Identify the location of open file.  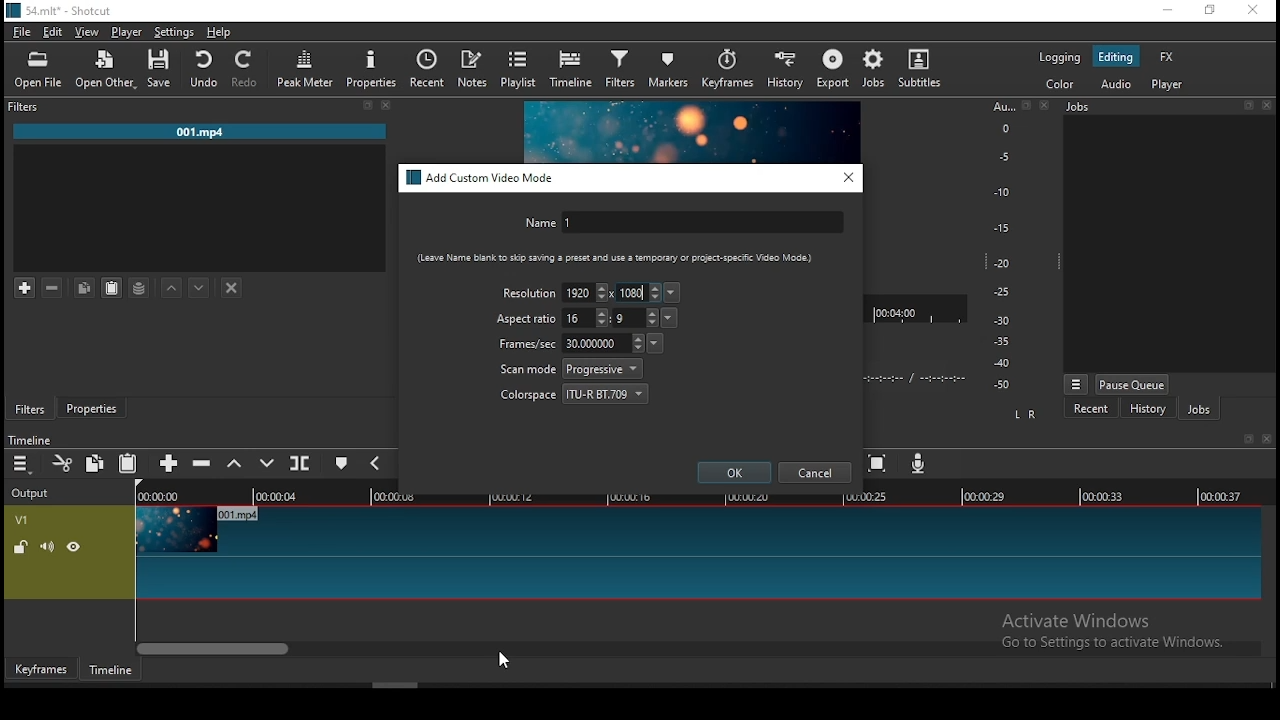
(38, 71).